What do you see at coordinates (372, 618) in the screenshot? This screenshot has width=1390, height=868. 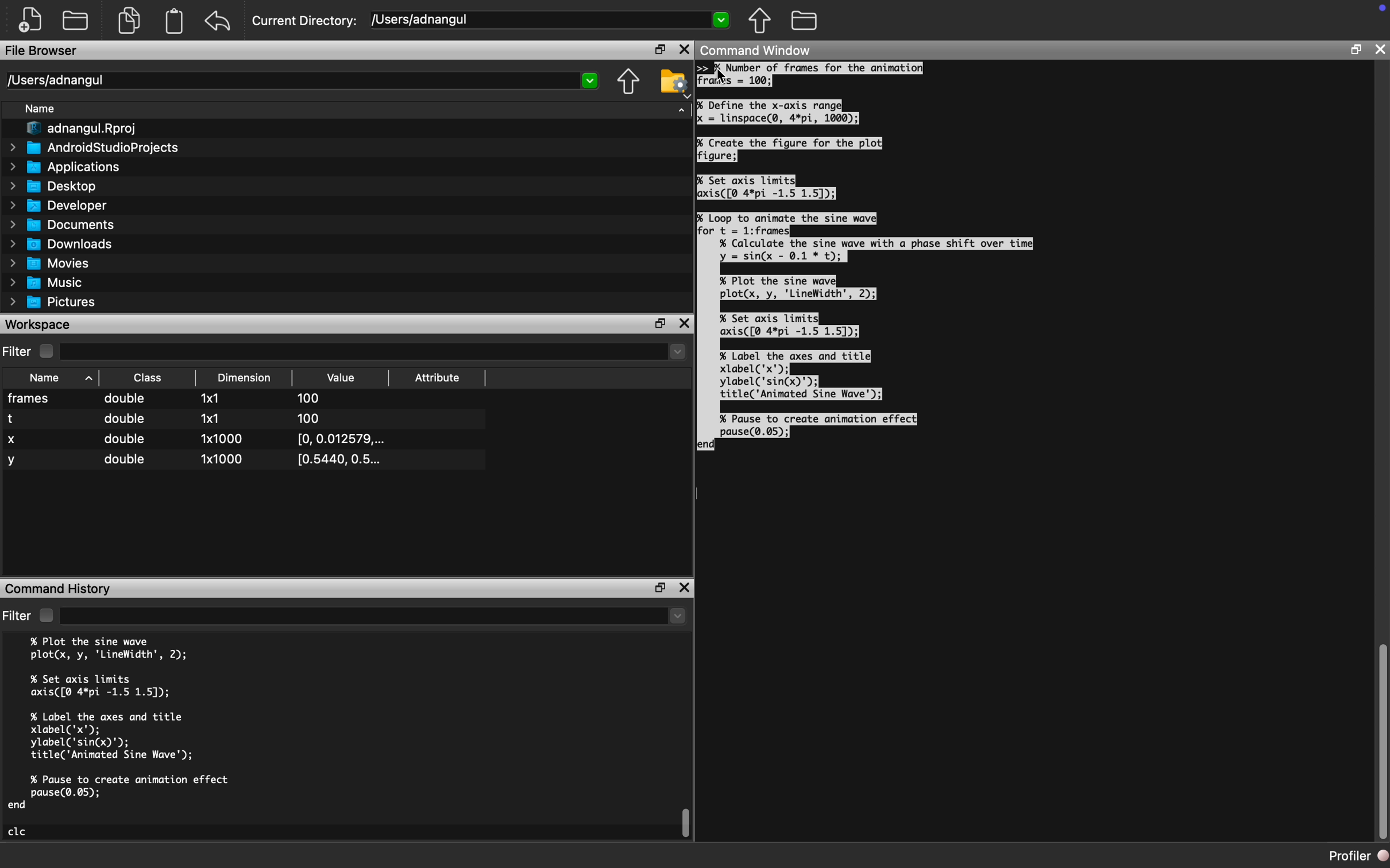 I see `Dropdown` at bounding box center [372, 618].